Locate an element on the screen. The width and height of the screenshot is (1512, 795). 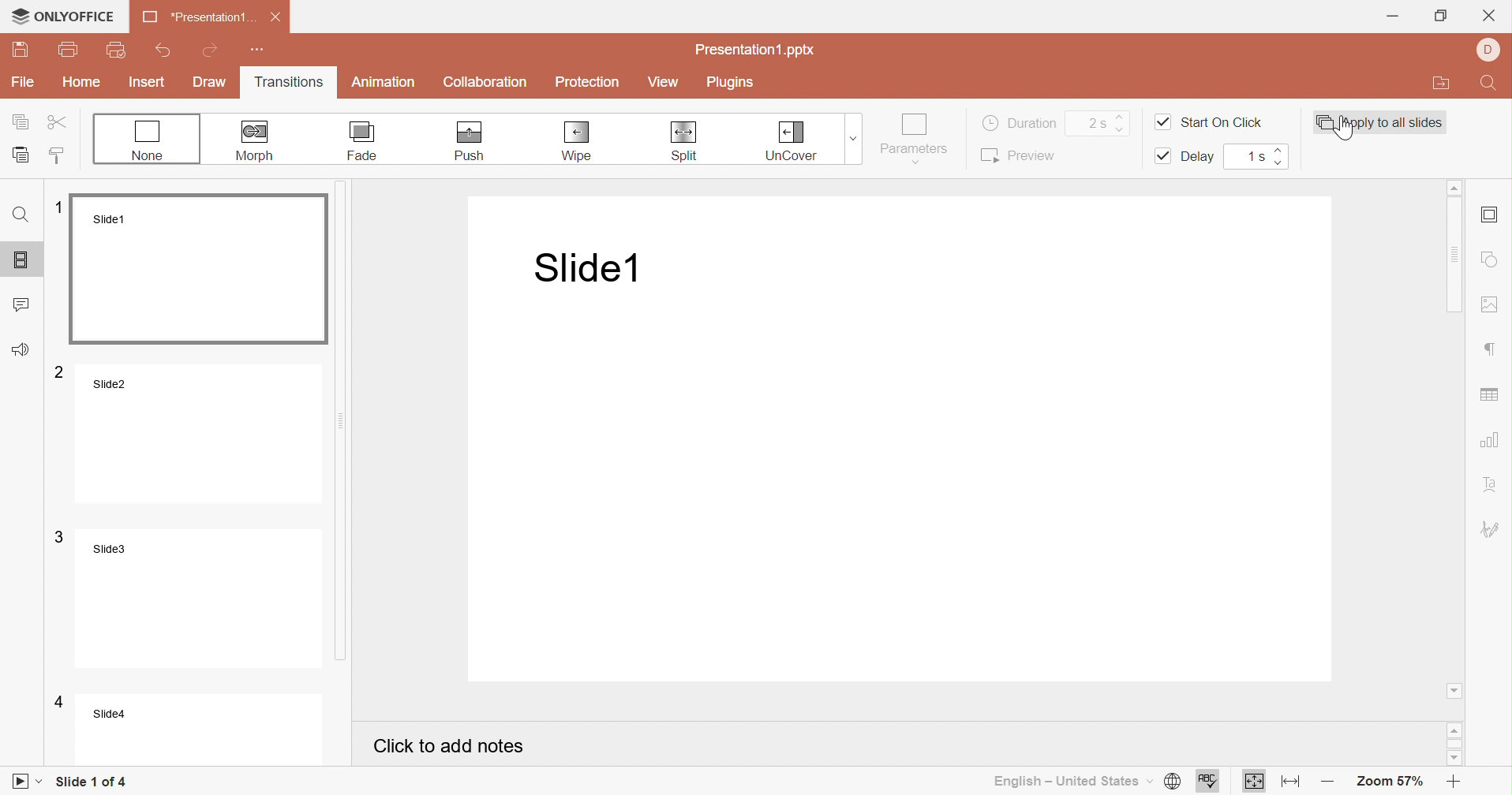
Restore down is located at coordinates (1440, 15).